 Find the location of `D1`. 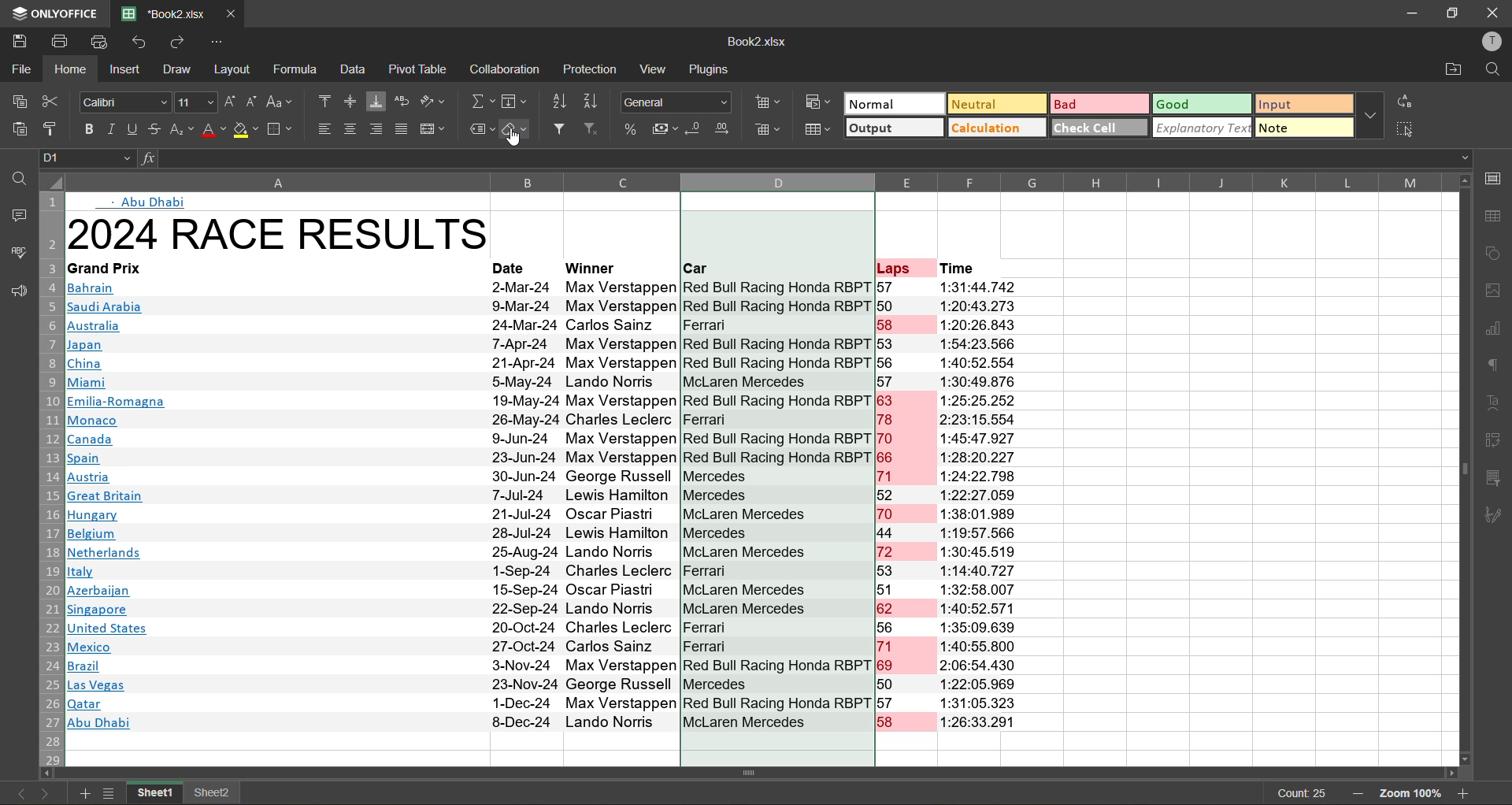

D1 is located at coordinates (87, 160).